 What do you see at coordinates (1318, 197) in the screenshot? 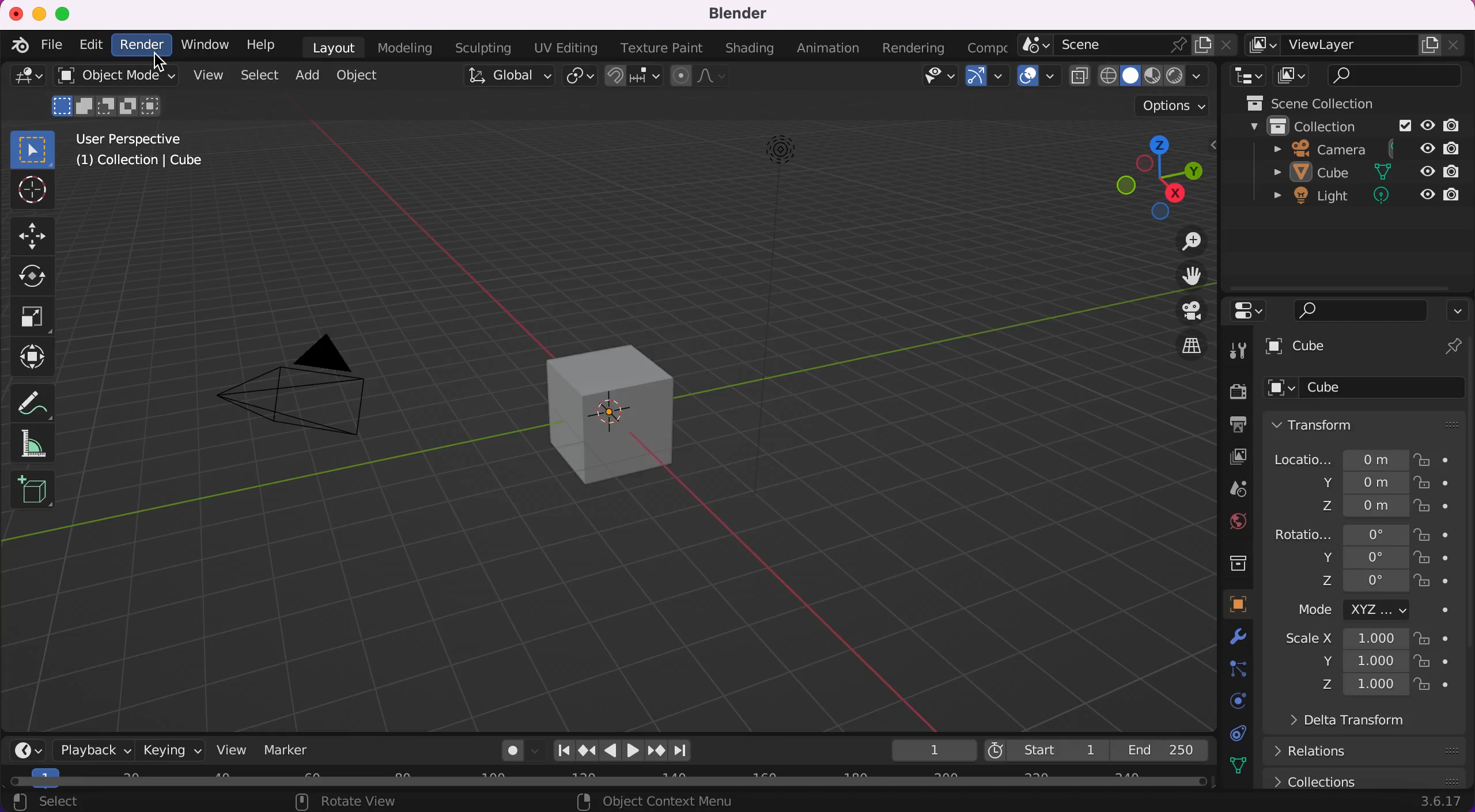
I see `light` at bounding box center [1318, 197].